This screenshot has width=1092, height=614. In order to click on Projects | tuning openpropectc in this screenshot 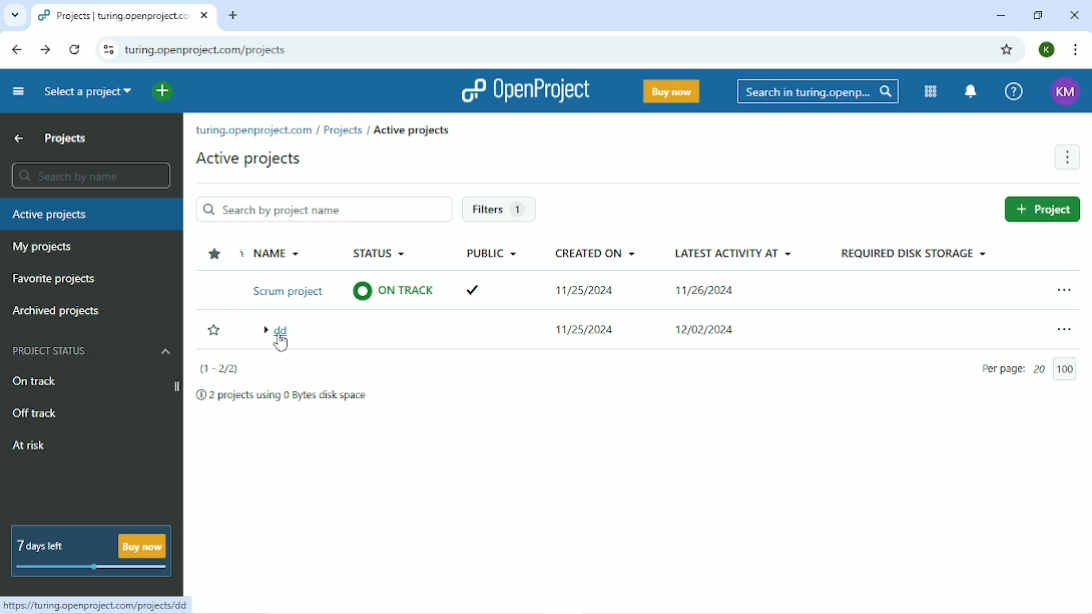, I will do `click(114, 15)`.